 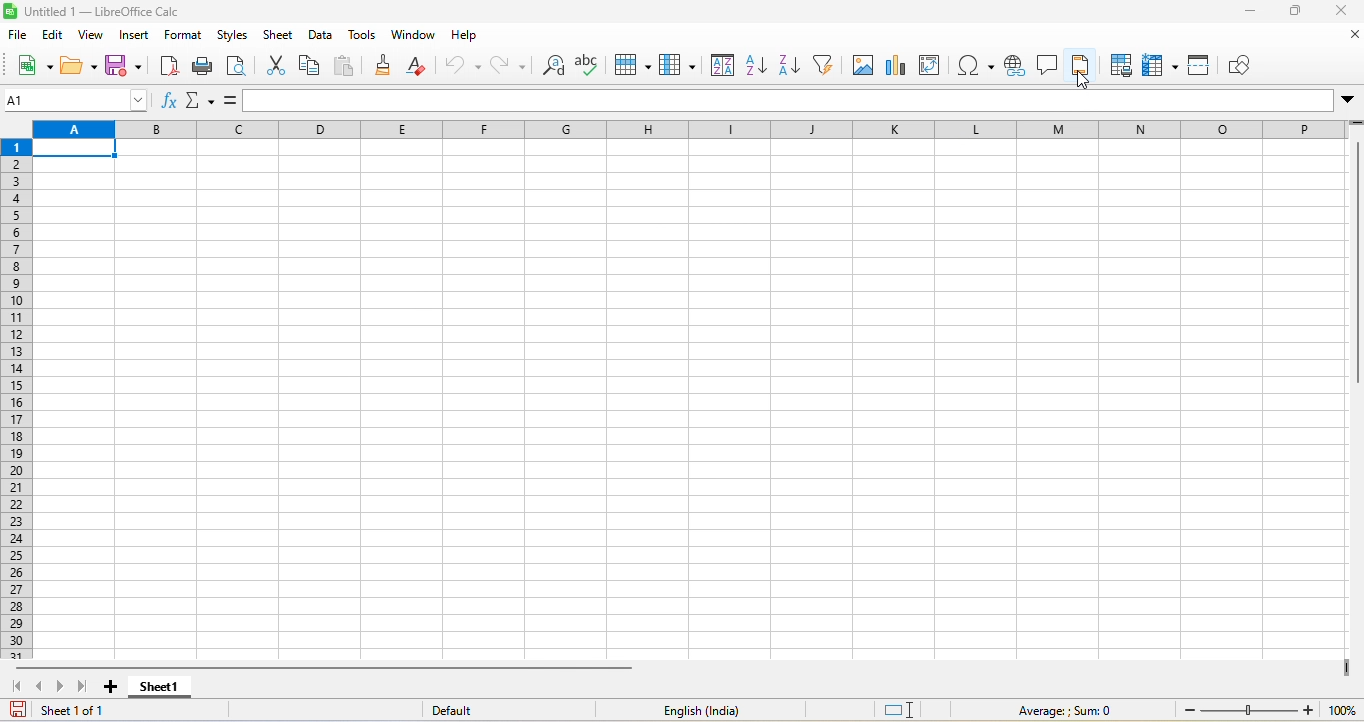 I want to click on headers and footers, so click(x=1080, y=64).